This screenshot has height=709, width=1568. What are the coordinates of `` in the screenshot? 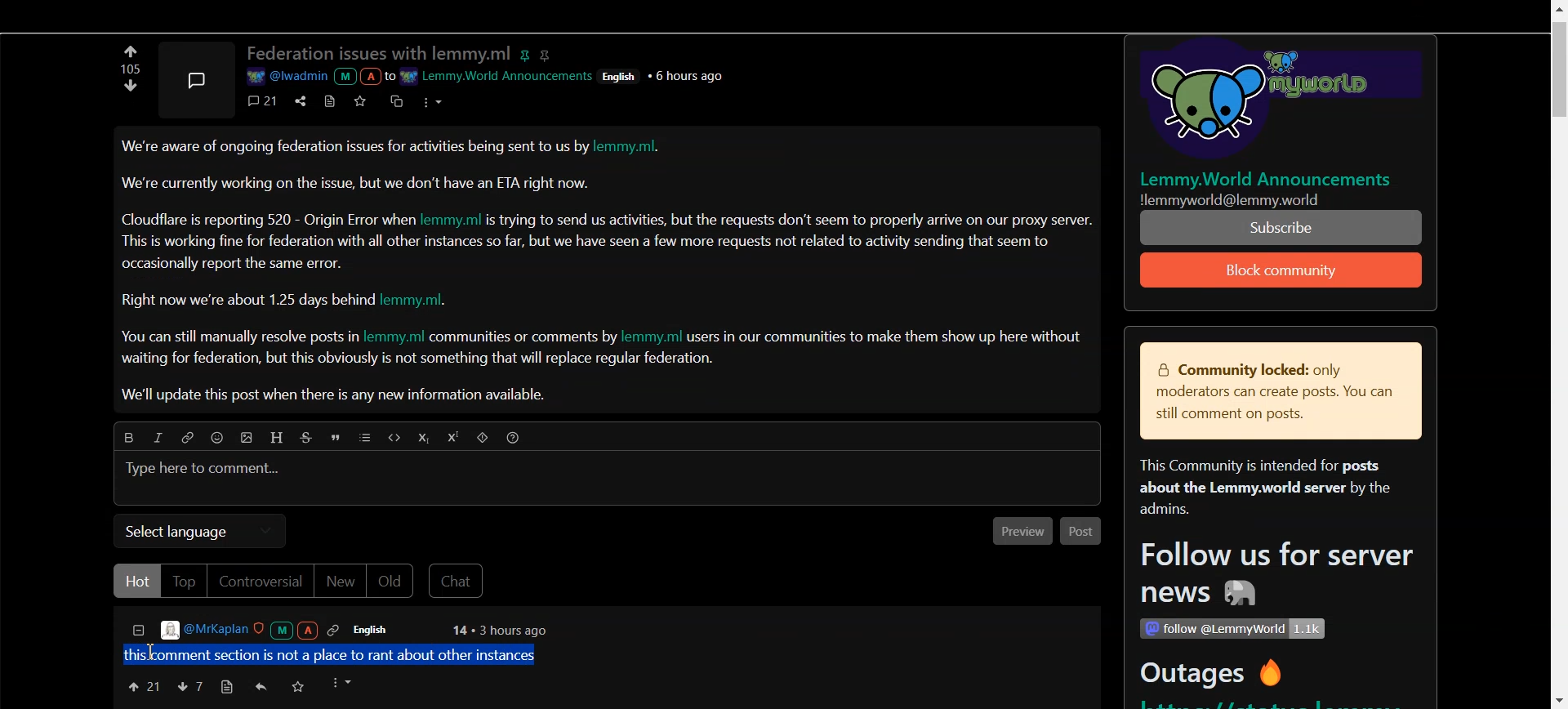 It's located at (1232, 629).